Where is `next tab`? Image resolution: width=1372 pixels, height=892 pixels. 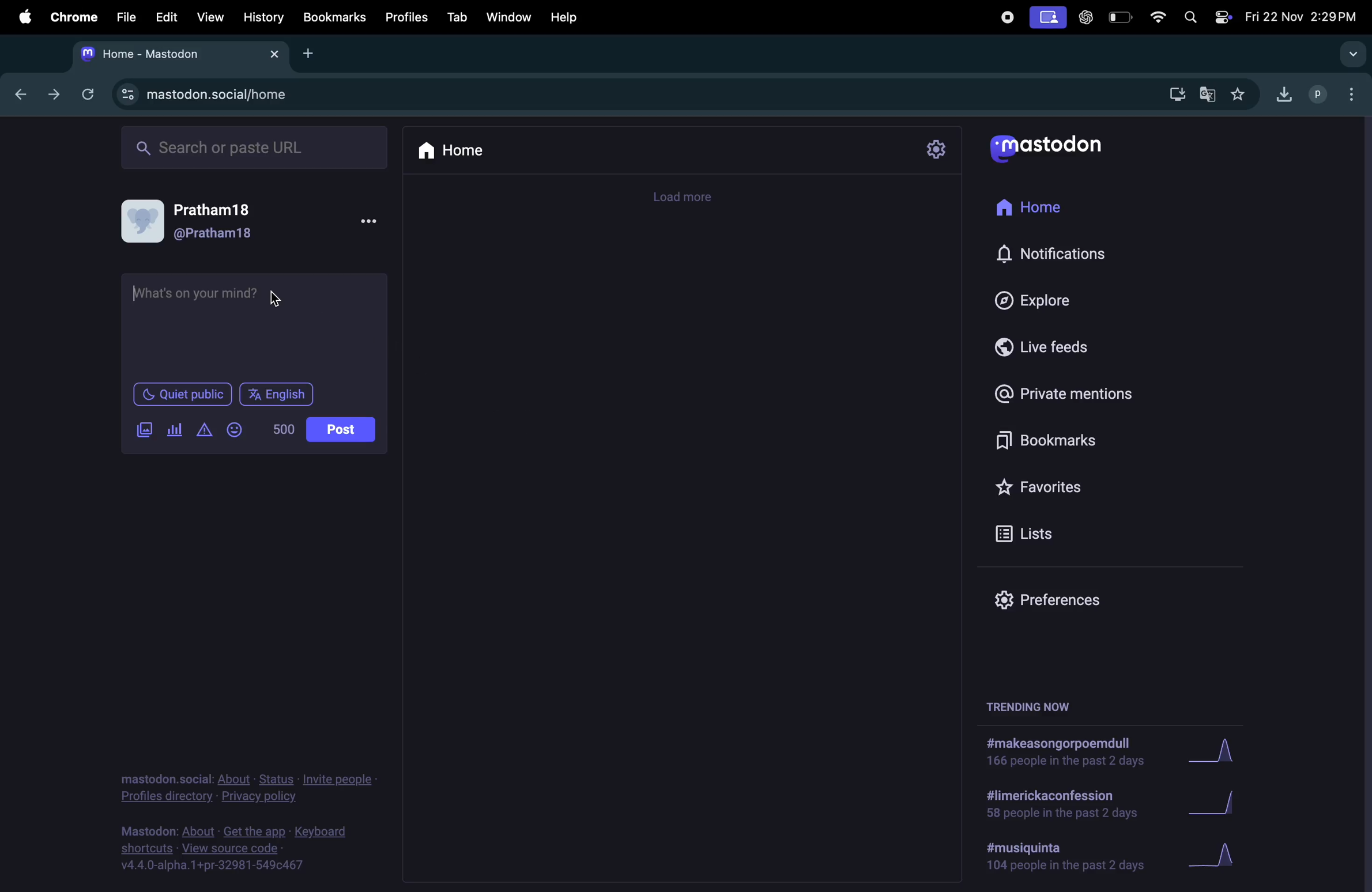
next tab is located at coordinates (51, 95).